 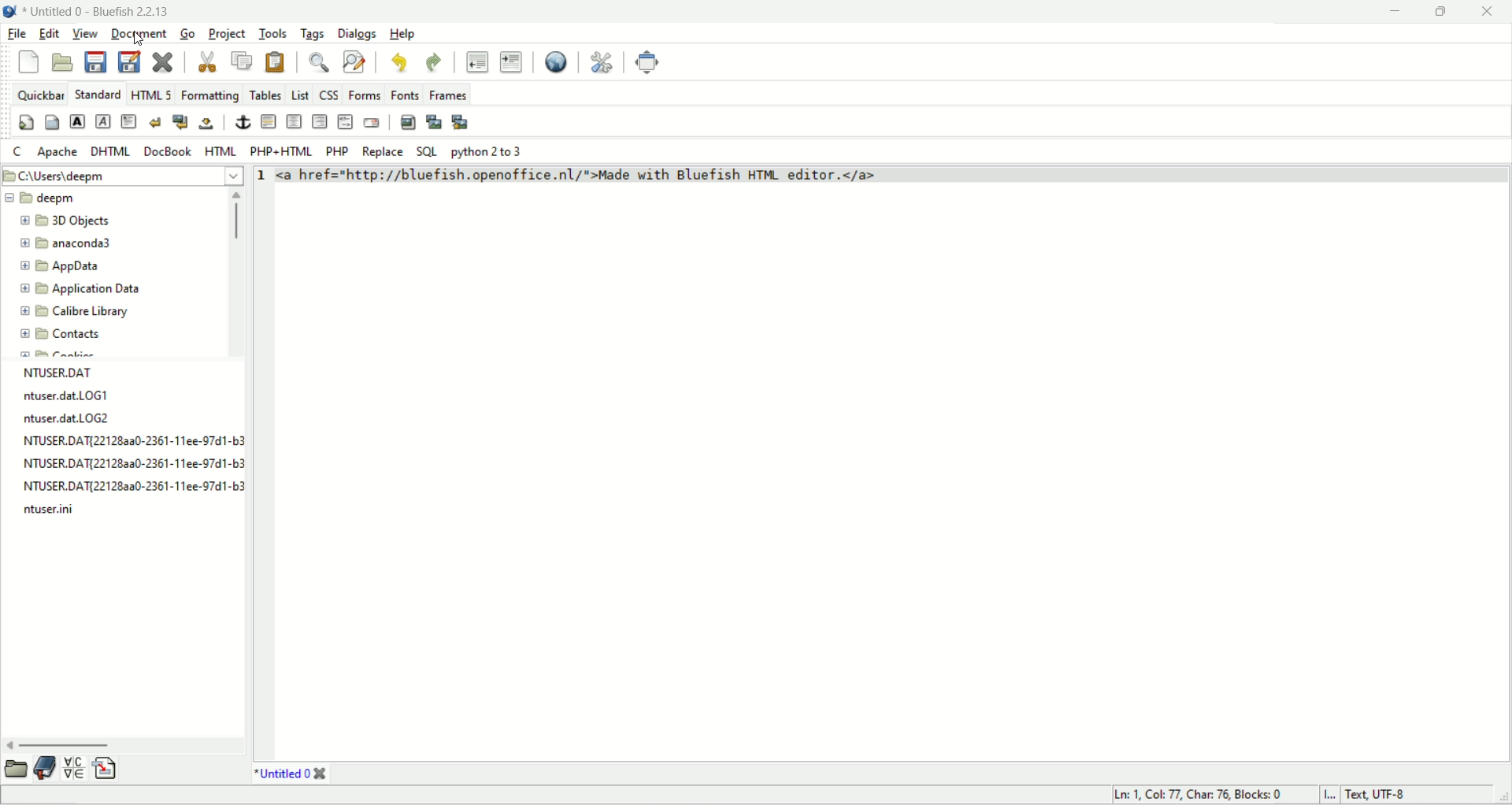 What do you see at coordinates (73, 767) in the screenshot?
I see `insert special character` at bounding box center [73, 767].